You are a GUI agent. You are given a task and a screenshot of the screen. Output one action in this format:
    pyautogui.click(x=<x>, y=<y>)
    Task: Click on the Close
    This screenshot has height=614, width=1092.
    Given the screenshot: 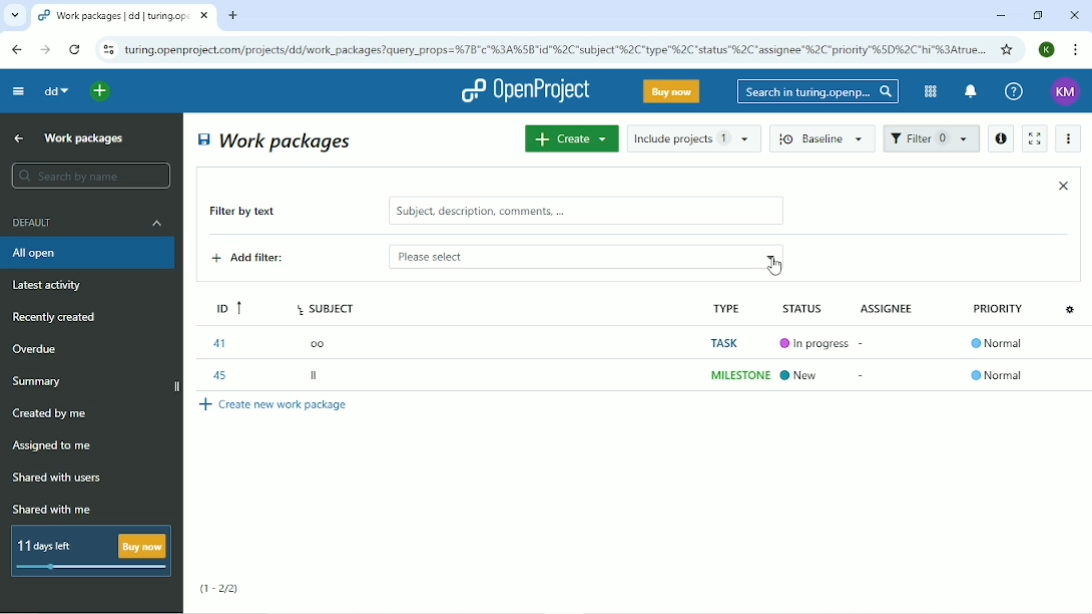 What is the action you would take?
    pyautogui.click(x=1063, y=185)
    